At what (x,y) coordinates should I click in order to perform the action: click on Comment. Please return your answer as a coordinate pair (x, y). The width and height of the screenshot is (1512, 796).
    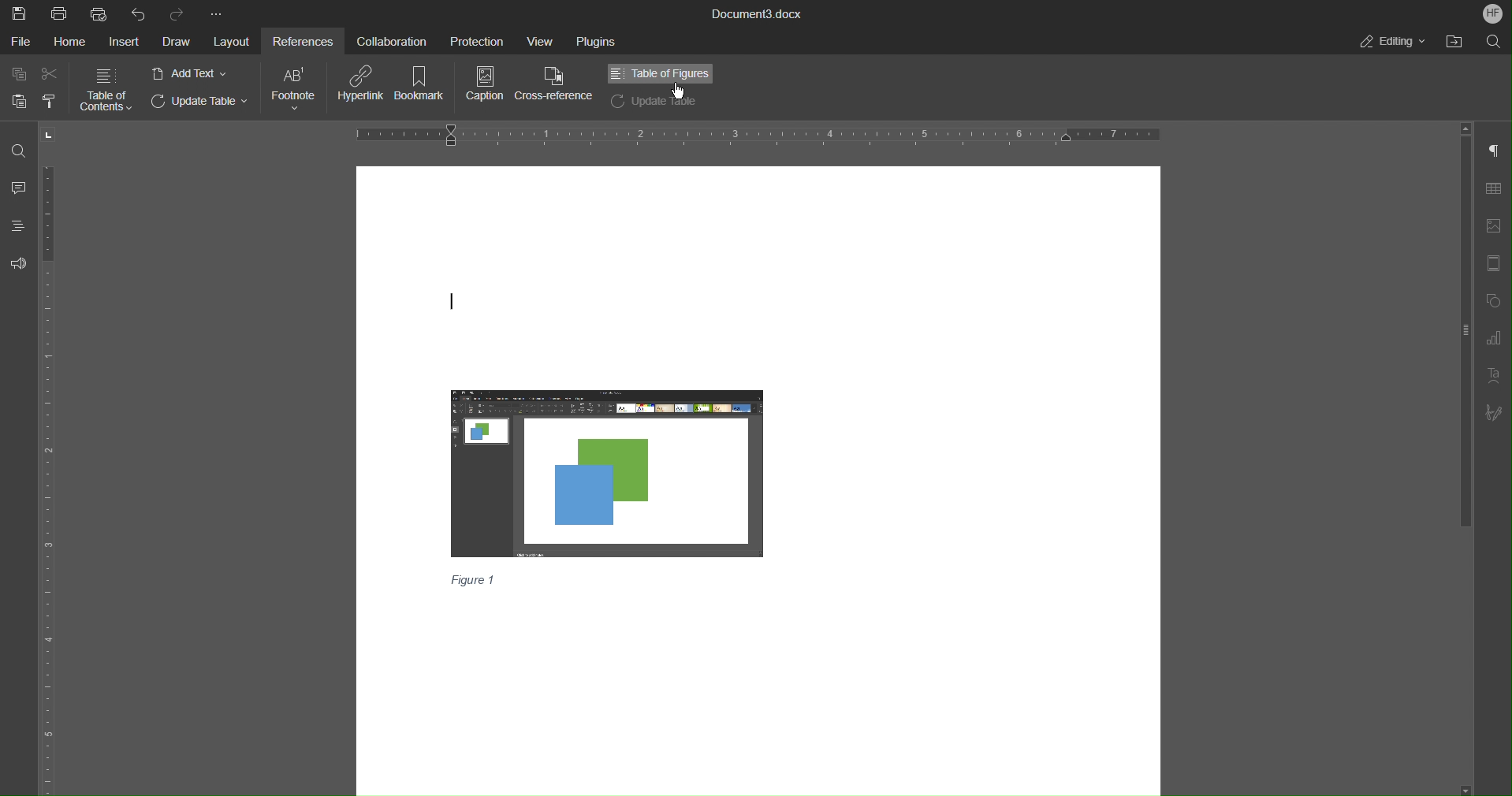
    Looking at the image, I should click on (18, 186).